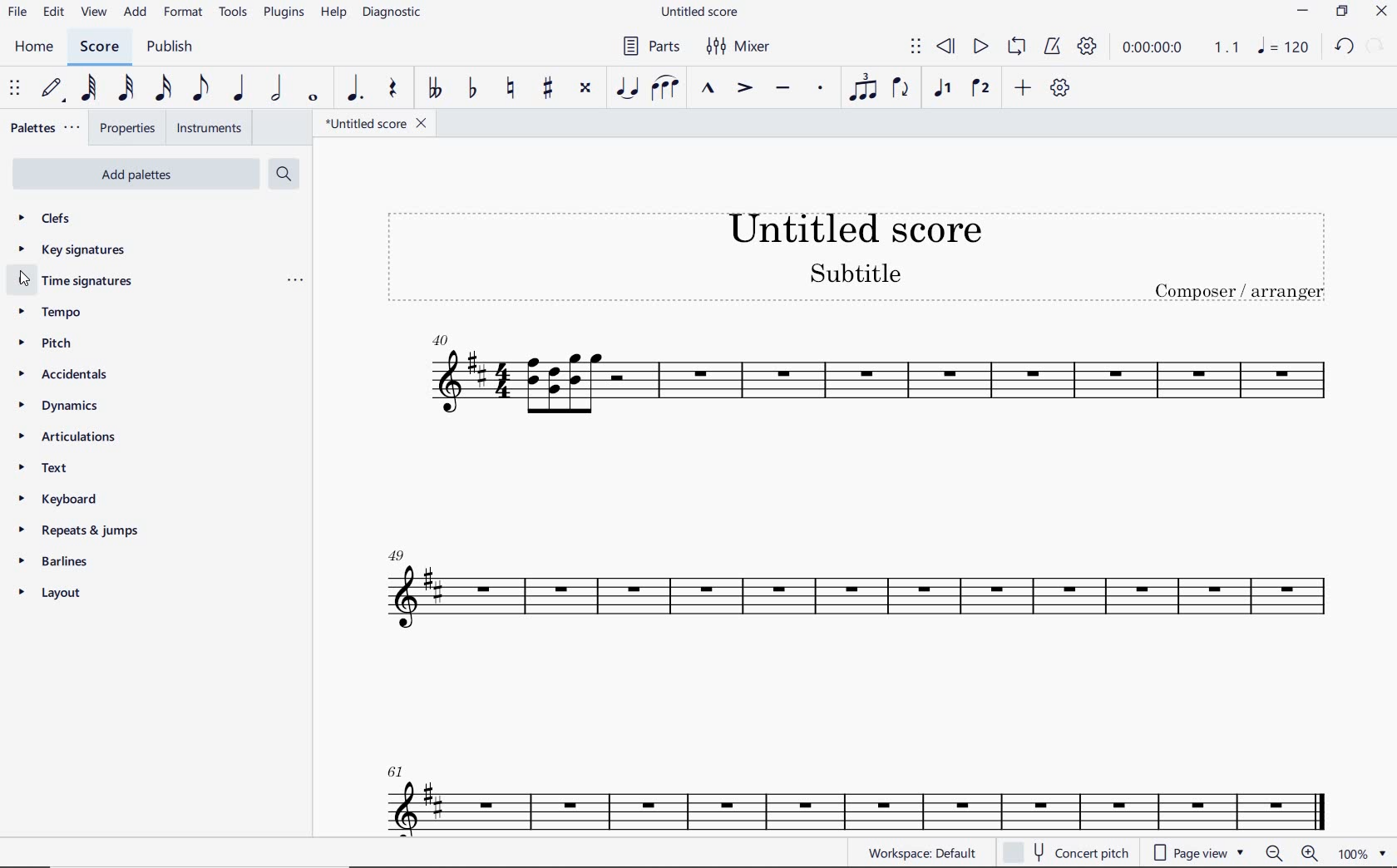 The image size is (1397, 868). Describe the element at coordinates (1376, 45) in the screenshot. I see `REDO` at that location.